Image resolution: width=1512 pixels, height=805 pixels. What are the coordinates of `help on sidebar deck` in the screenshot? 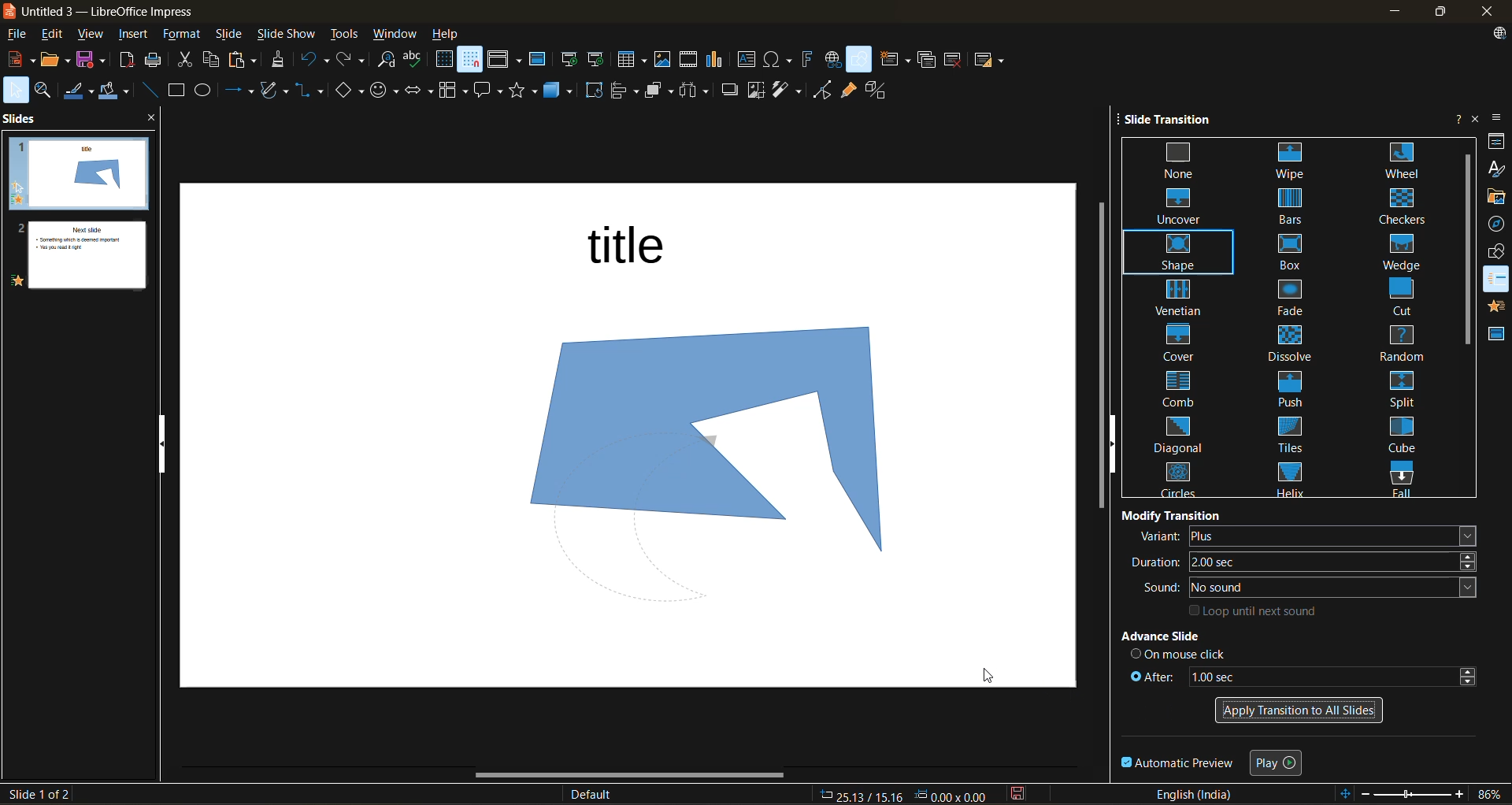 It's located at (1455, 118).